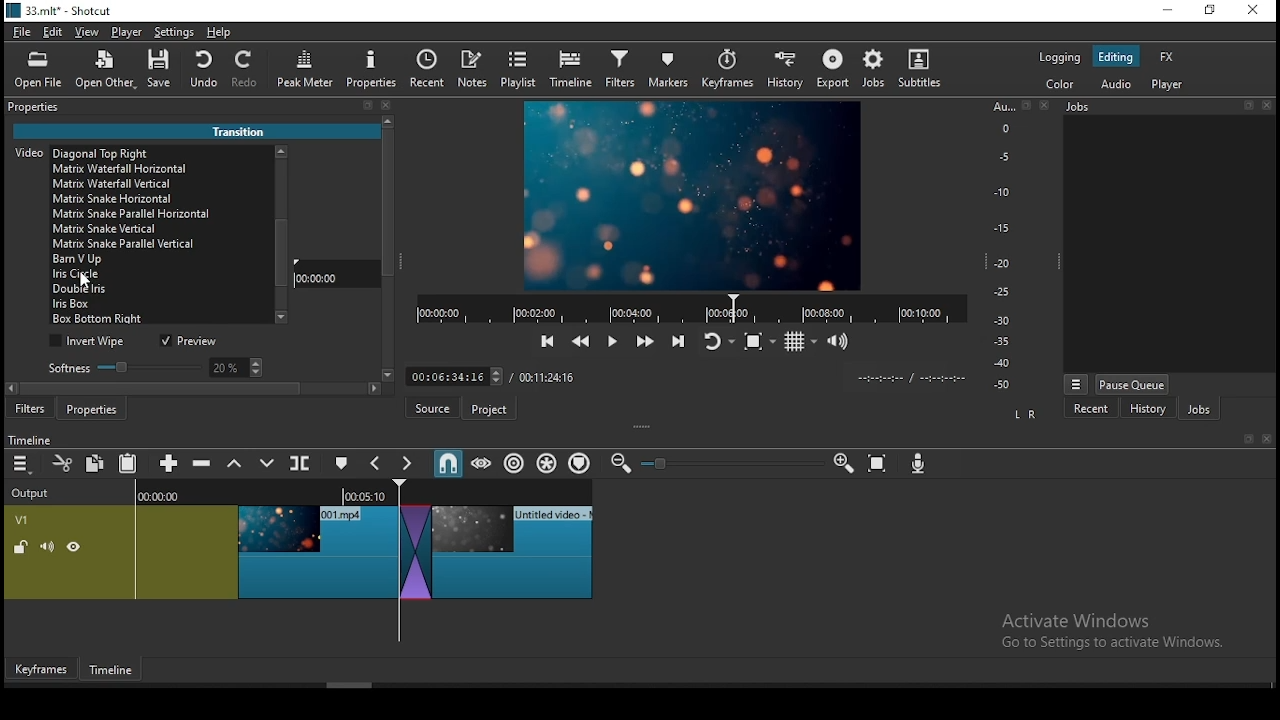 This screenshot has height=720, width=1280. Describe the element at coordinates (216, 32) in the screenshot. I see `help` at that location.